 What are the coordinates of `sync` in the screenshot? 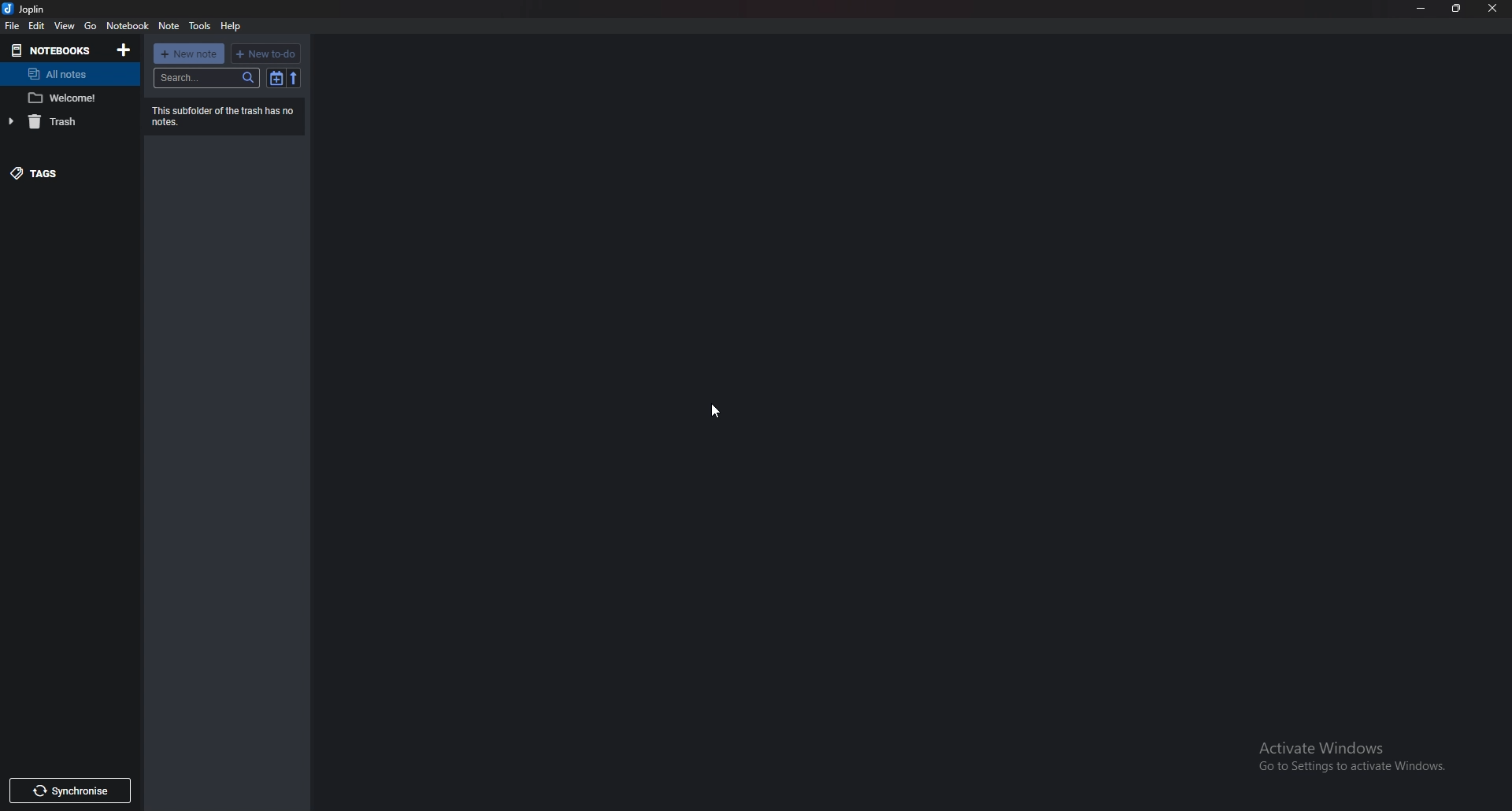 It's located at (71, 791).